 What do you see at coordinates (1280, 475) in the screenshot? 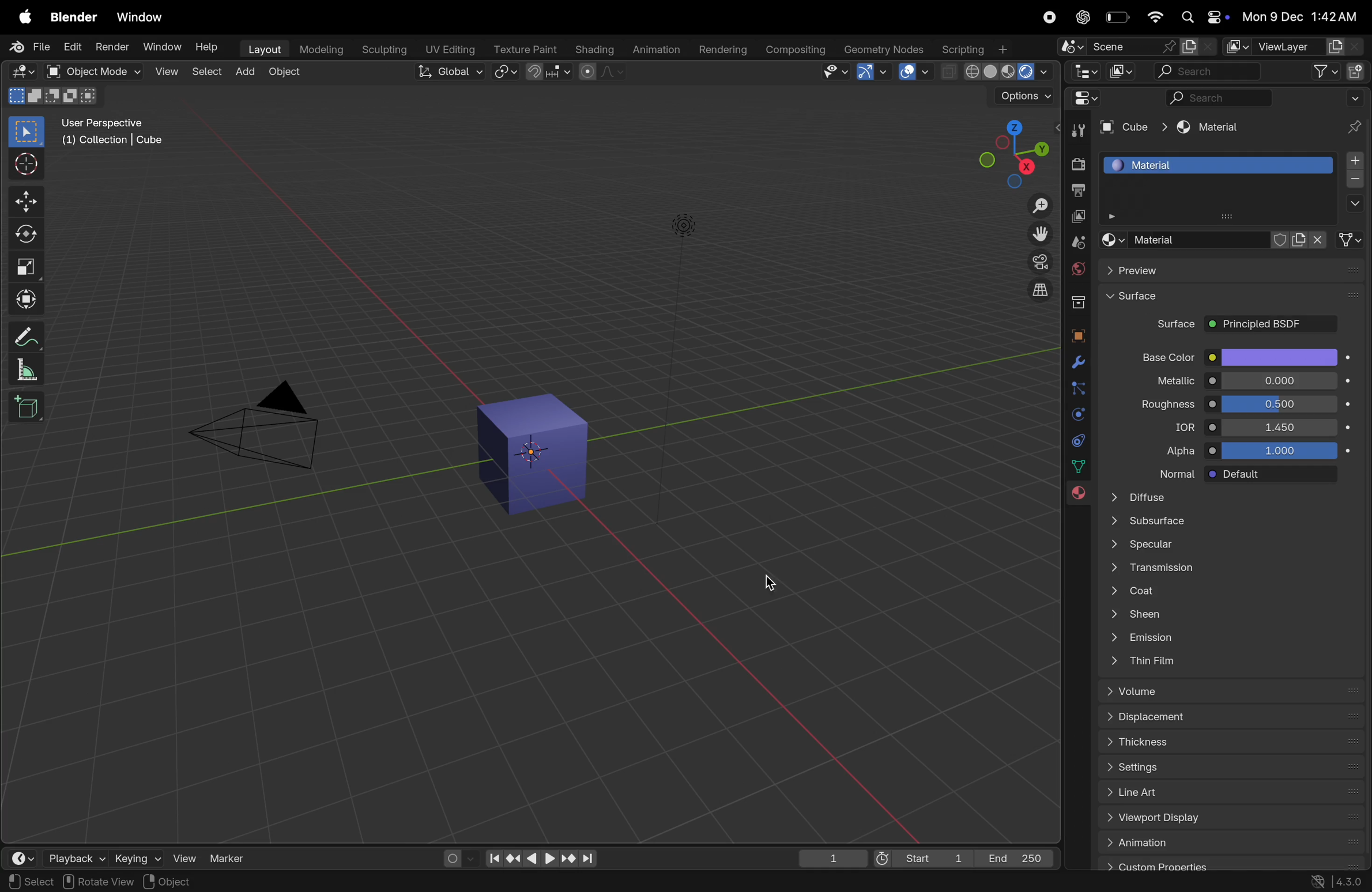
I see `default` at bounding box center [1280, 475].